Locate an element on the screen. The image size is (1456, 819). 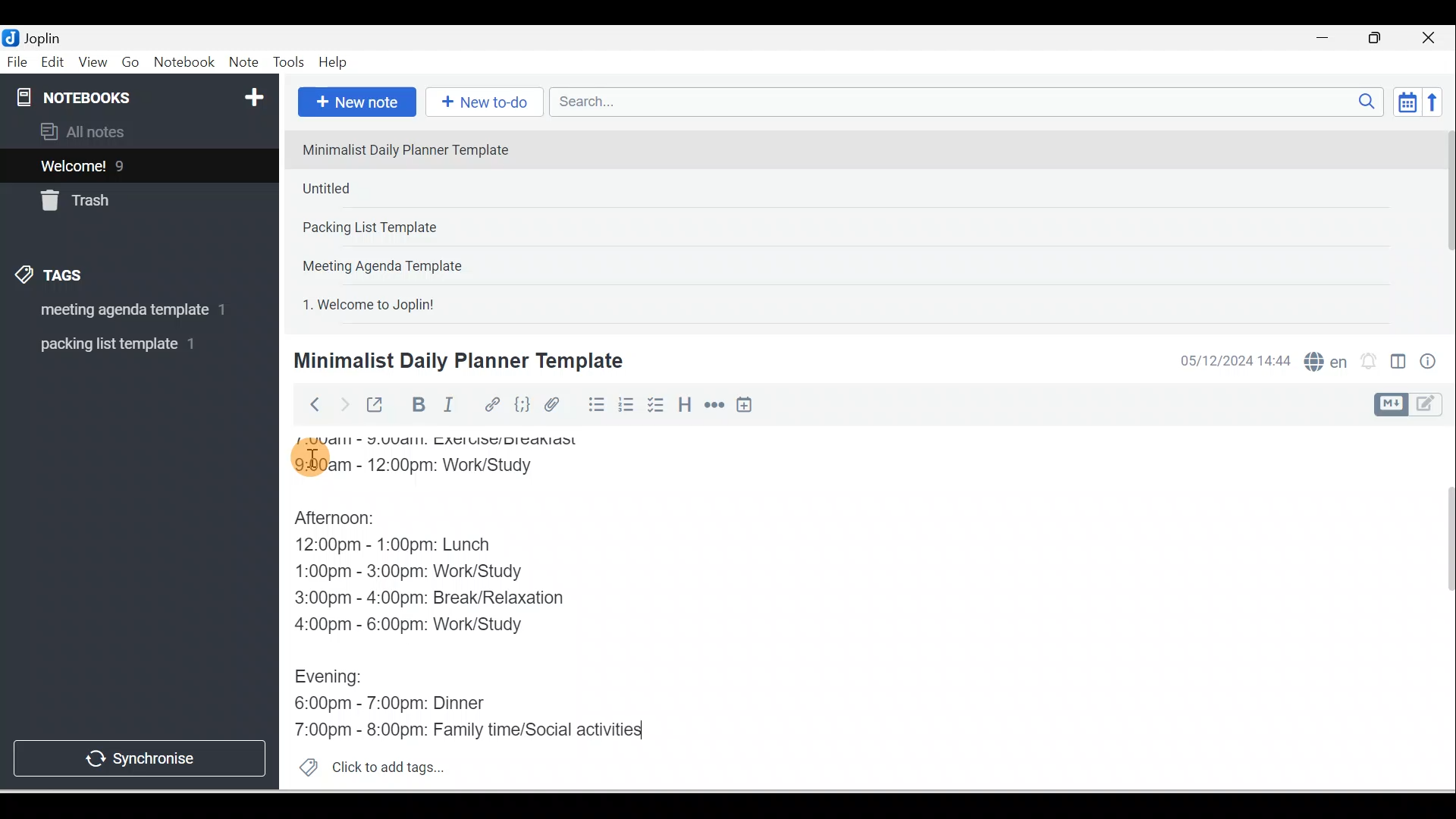
Heading is located at coordinates (684, 403).